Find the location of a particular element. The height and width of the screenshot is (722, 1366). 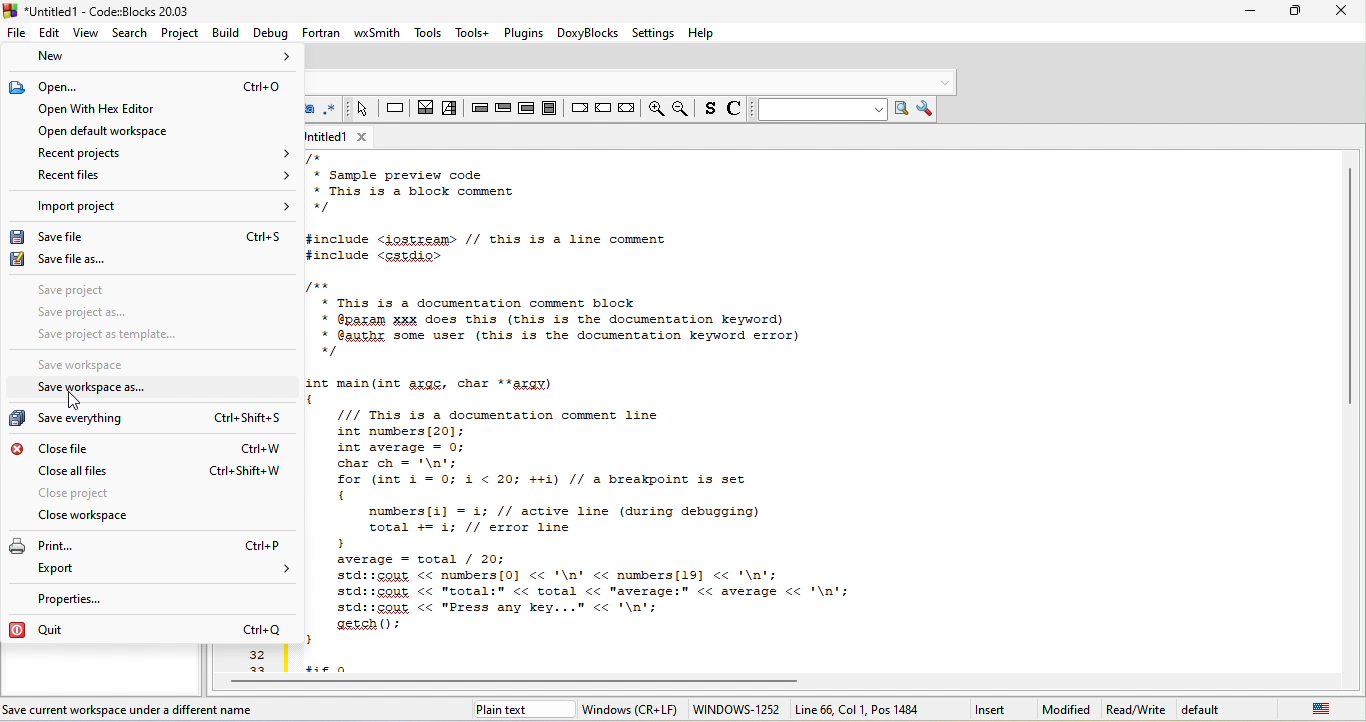

close project is located at coordinates (157, 496).